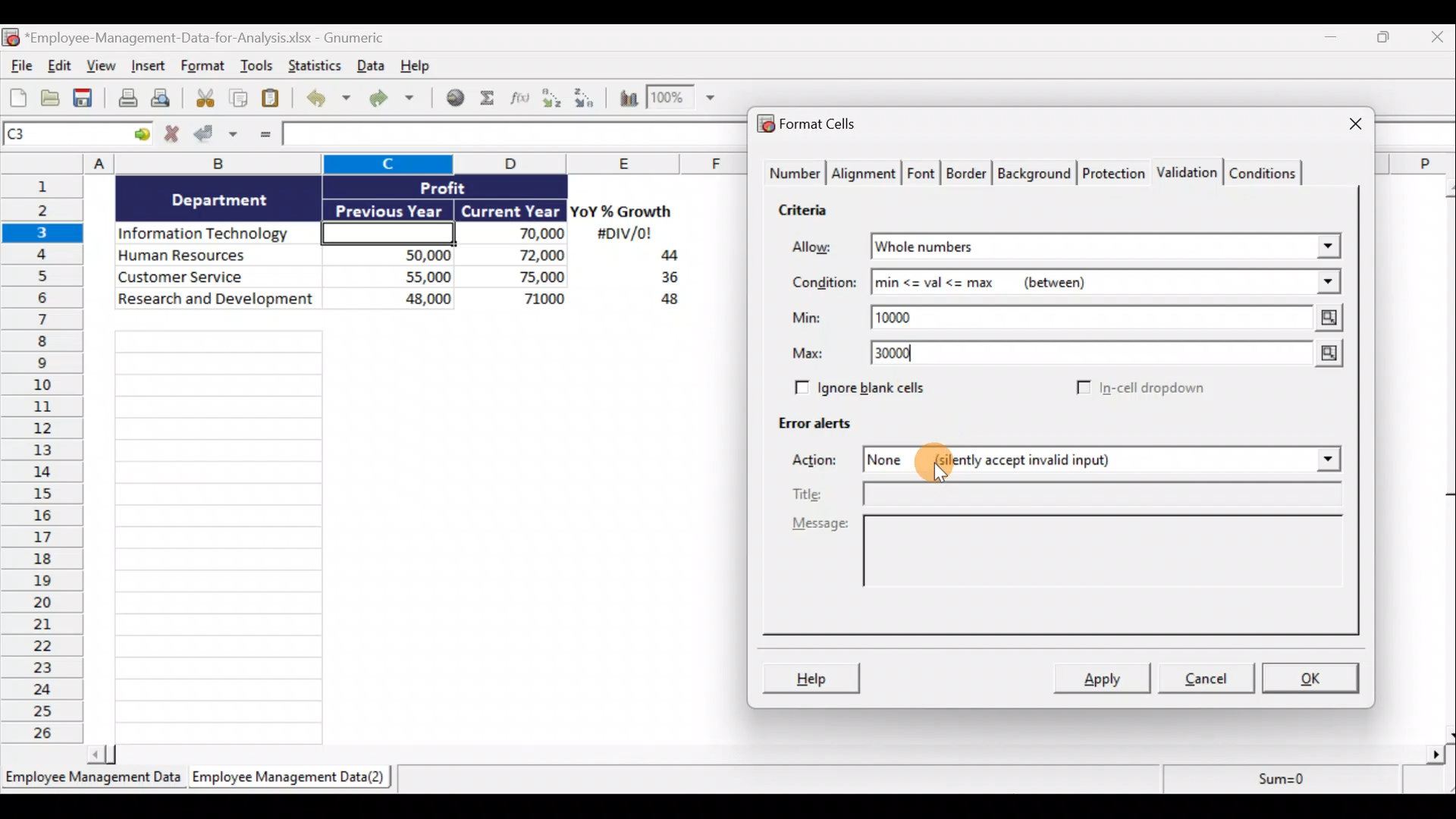 This screenshot has height=819, width=1456. Describe the element at coordinates (204, 99) in the screenshot. I see `Cut selection` at that location.